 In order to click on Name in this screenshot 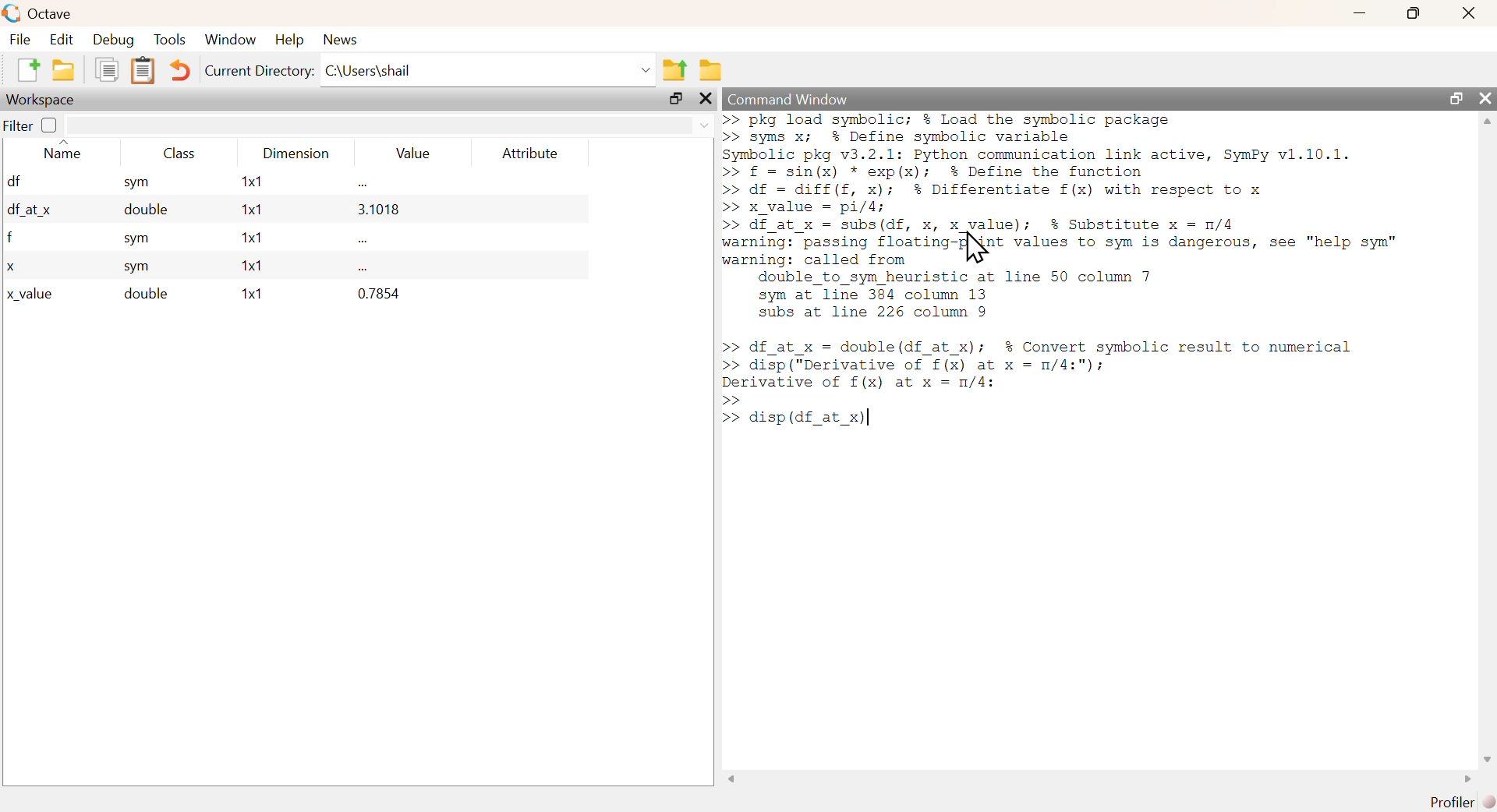, I will do `click(62, 150)`.